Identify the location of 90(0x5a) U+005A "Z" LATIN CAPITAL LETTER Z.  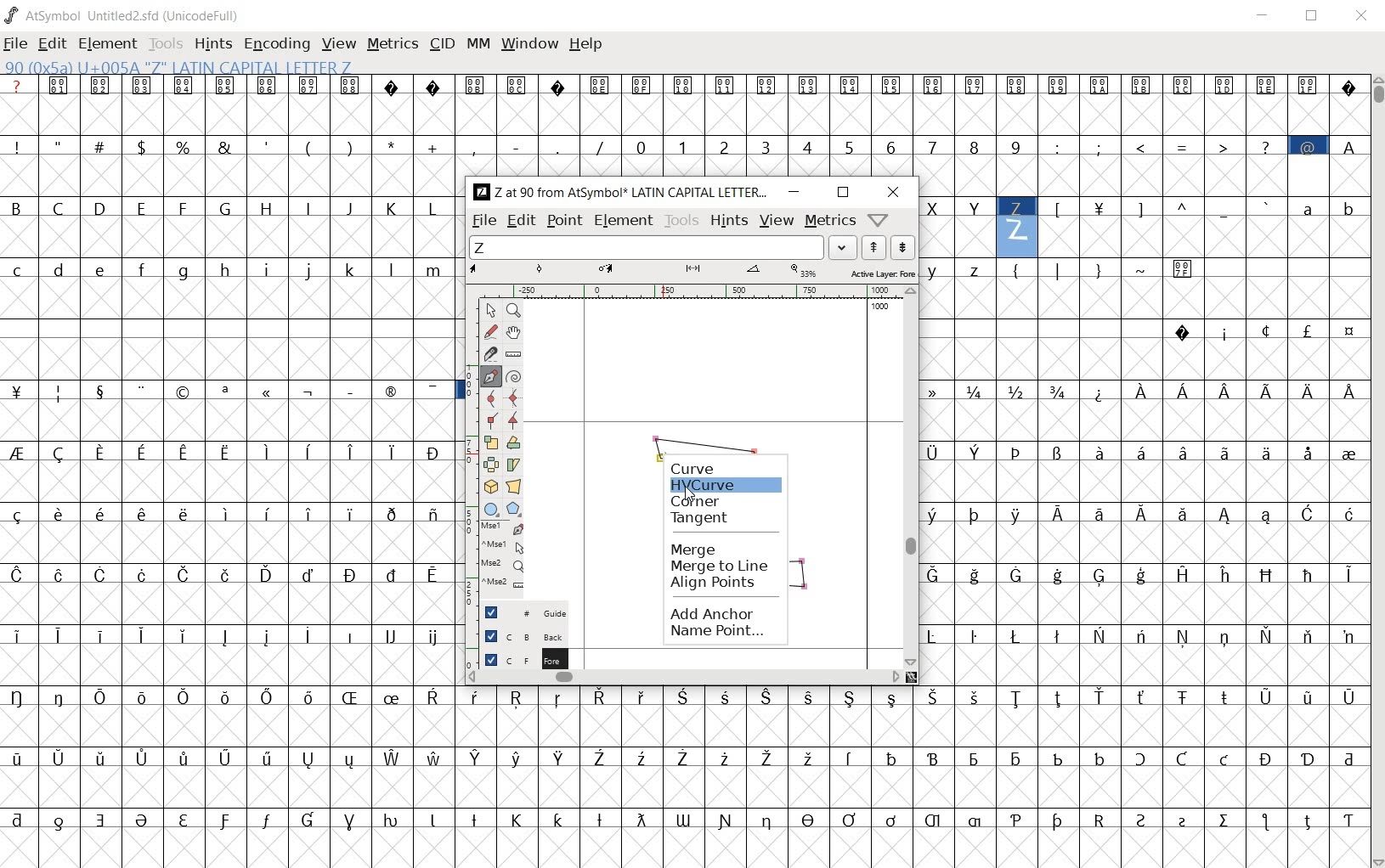
(178, 68).